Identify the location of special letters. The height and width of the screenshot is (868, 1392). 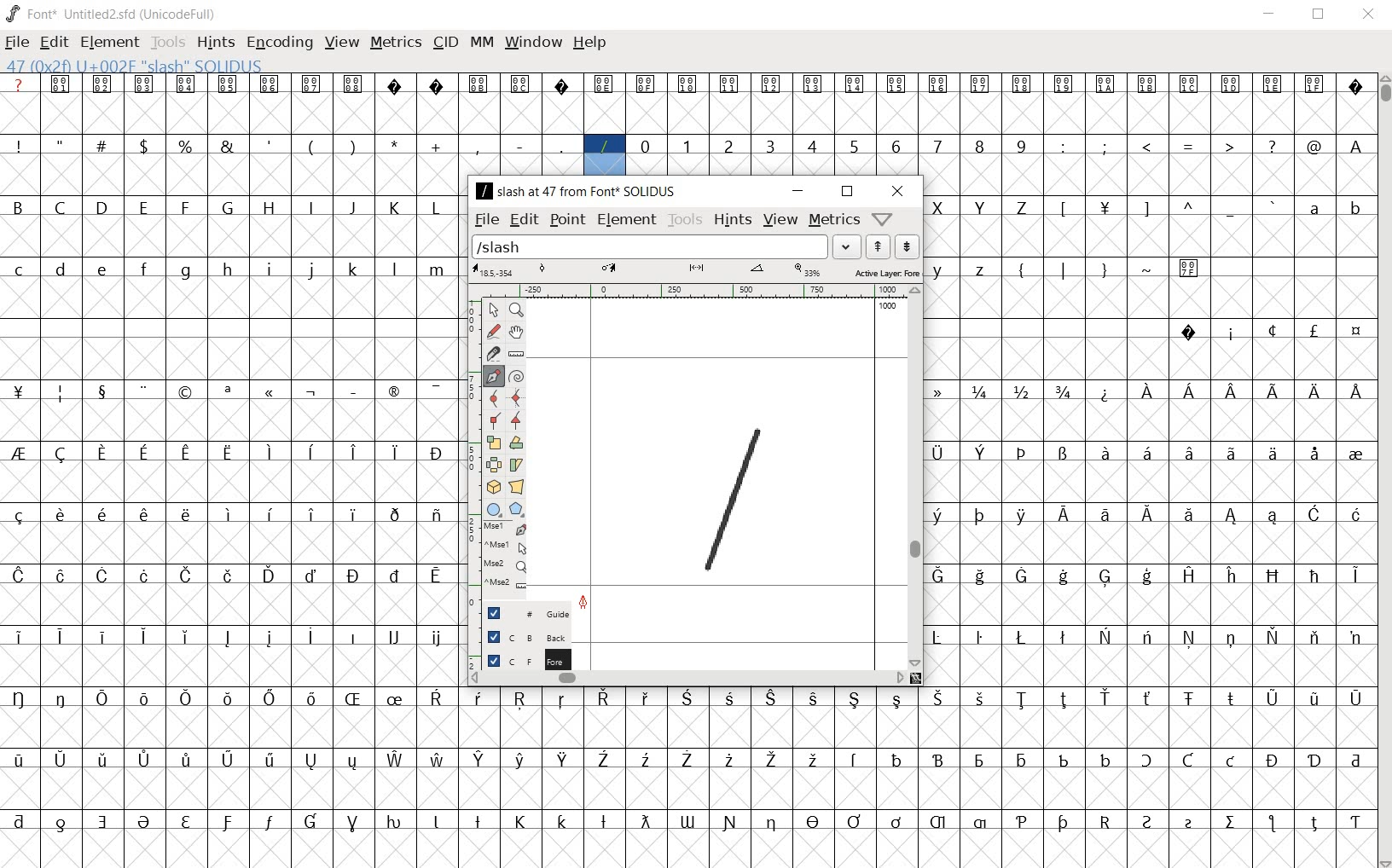
(1147, 574).